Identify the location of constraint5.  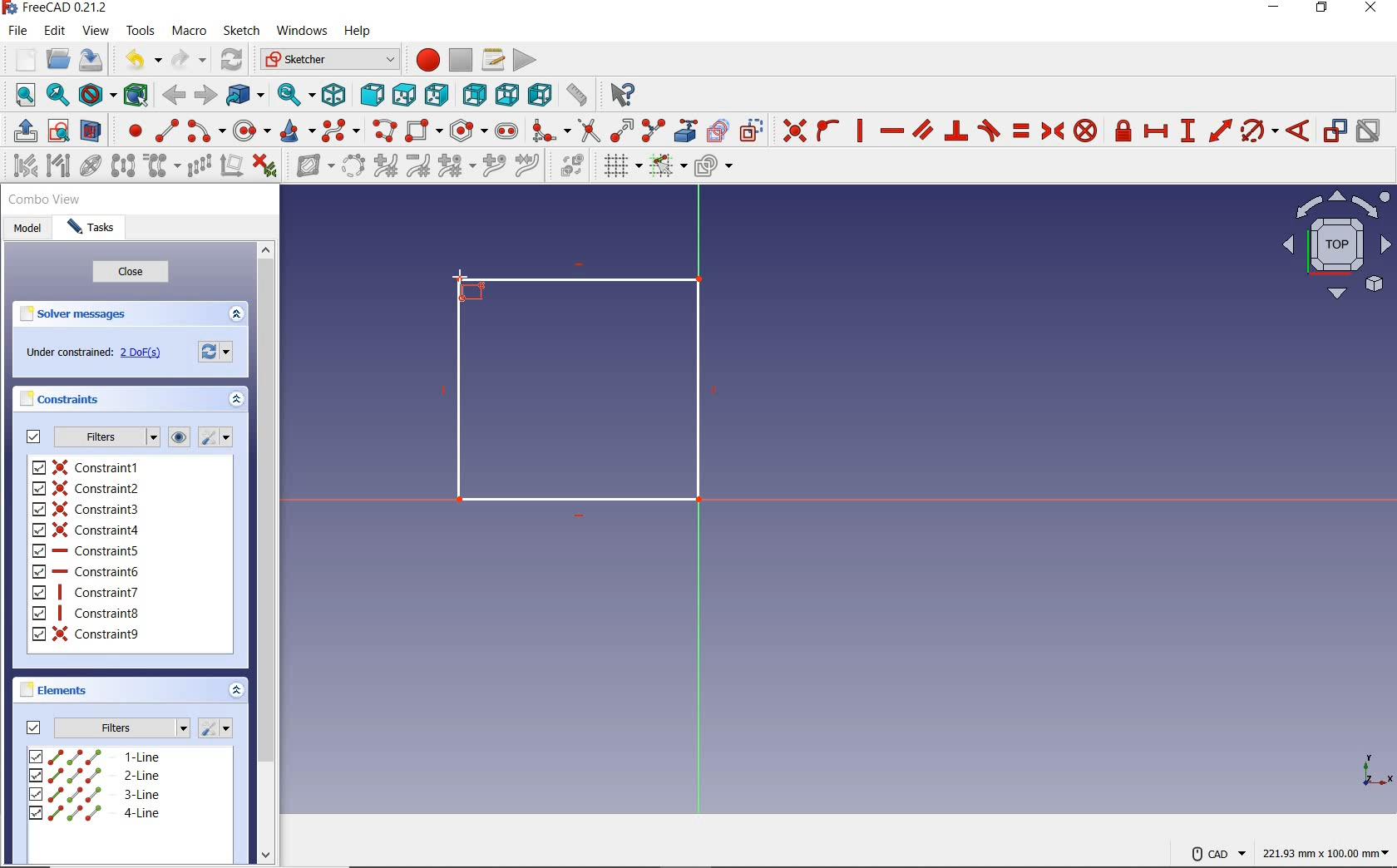
(87, 550).